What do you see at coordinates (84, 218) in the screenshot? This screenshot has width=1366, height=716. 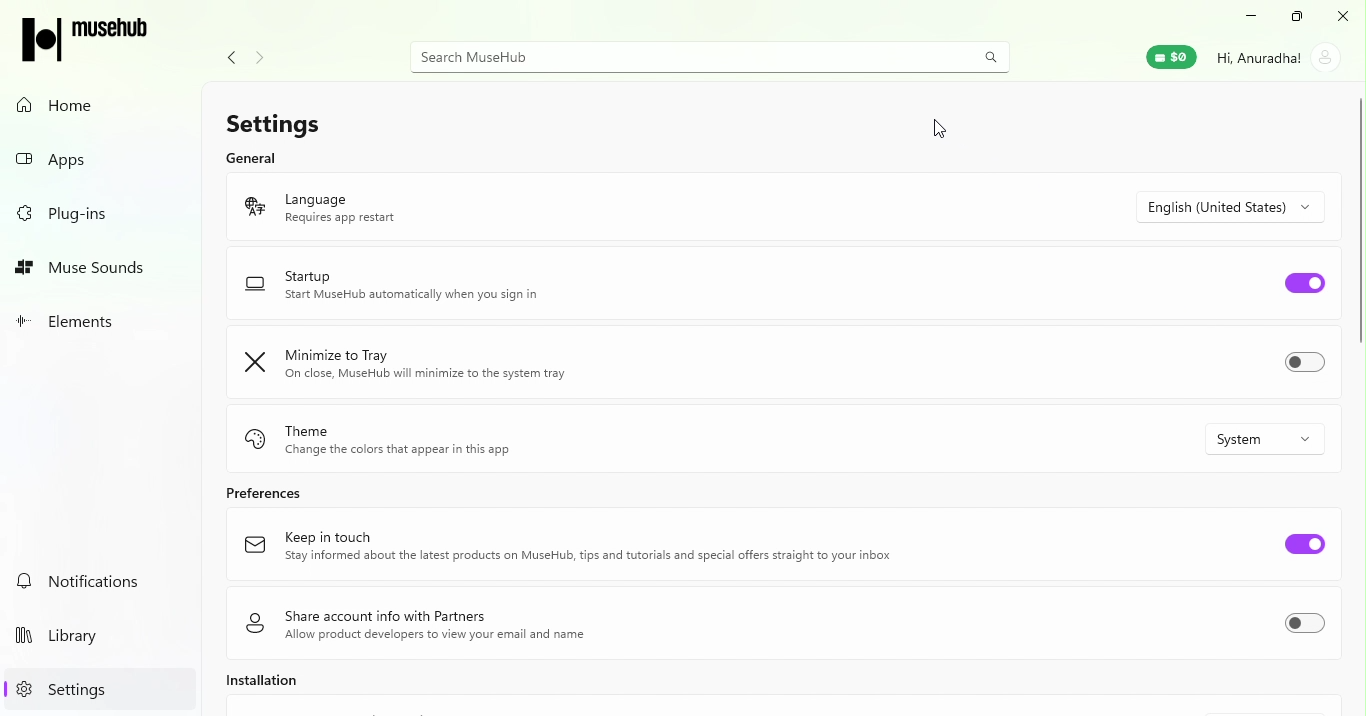 I see `Plug-ins` at bounding box center [84, 218].